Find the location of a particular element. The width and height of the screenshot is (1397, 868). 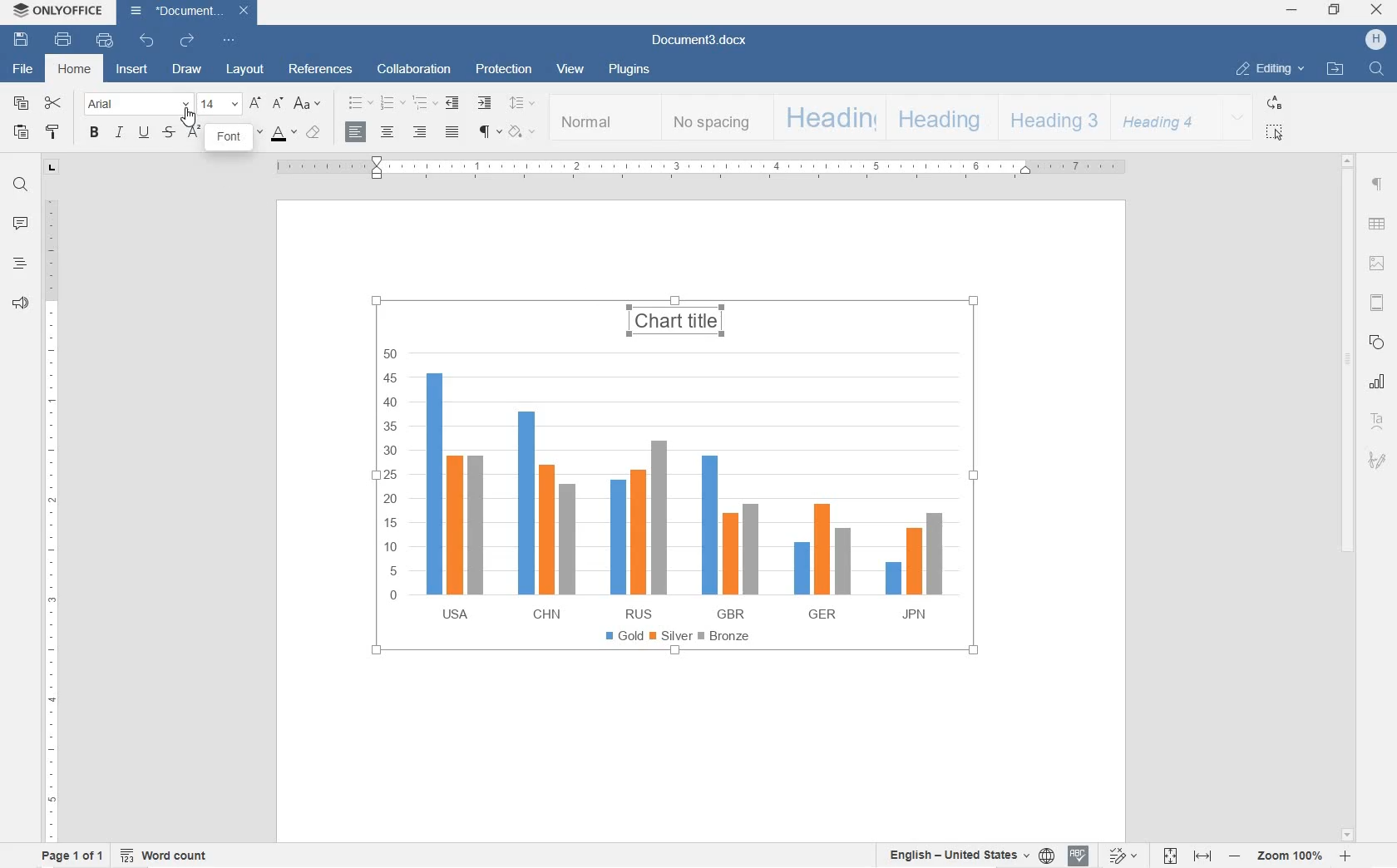

SUPERSCRIPT is located at coordinates (193, 134).